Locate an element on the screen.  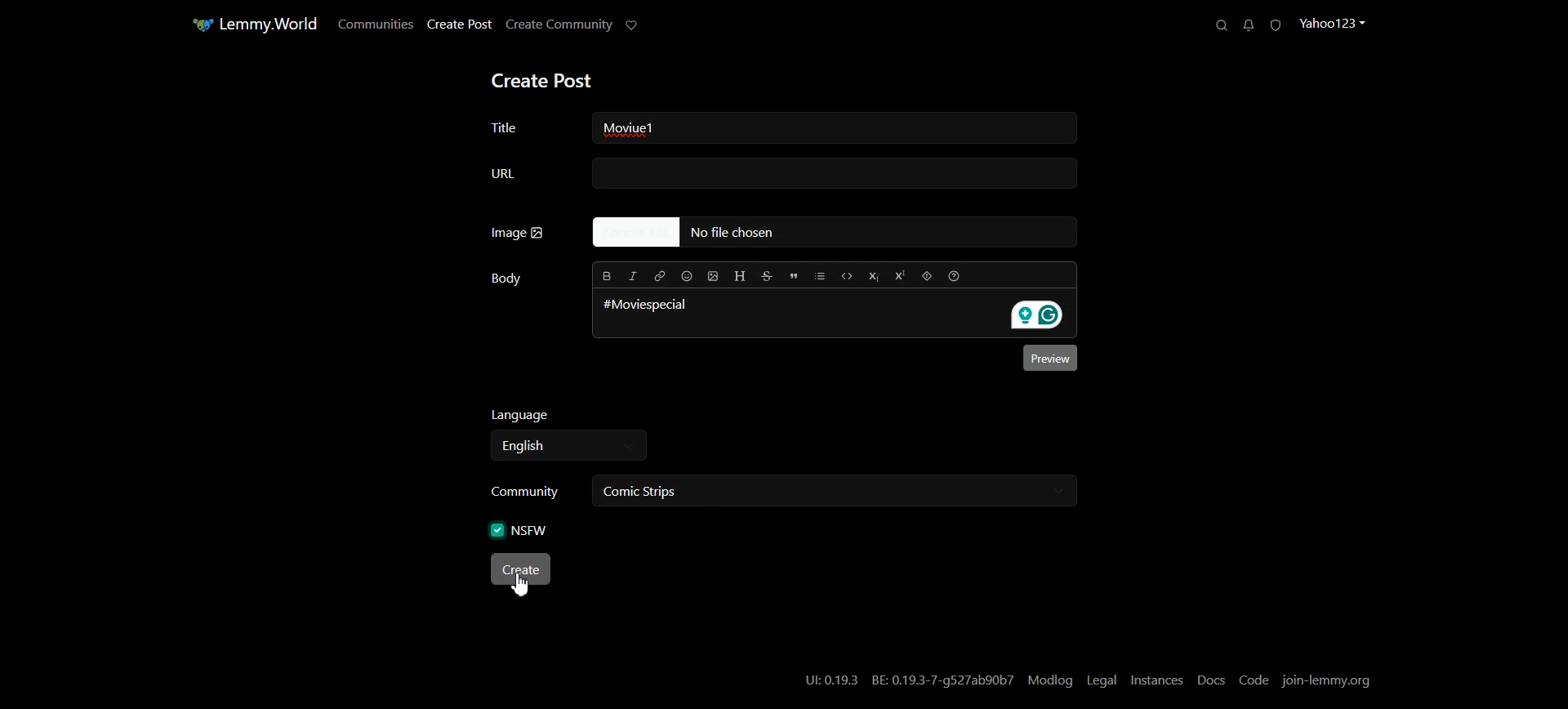
Formatting help is located at coordinates (955, 276).